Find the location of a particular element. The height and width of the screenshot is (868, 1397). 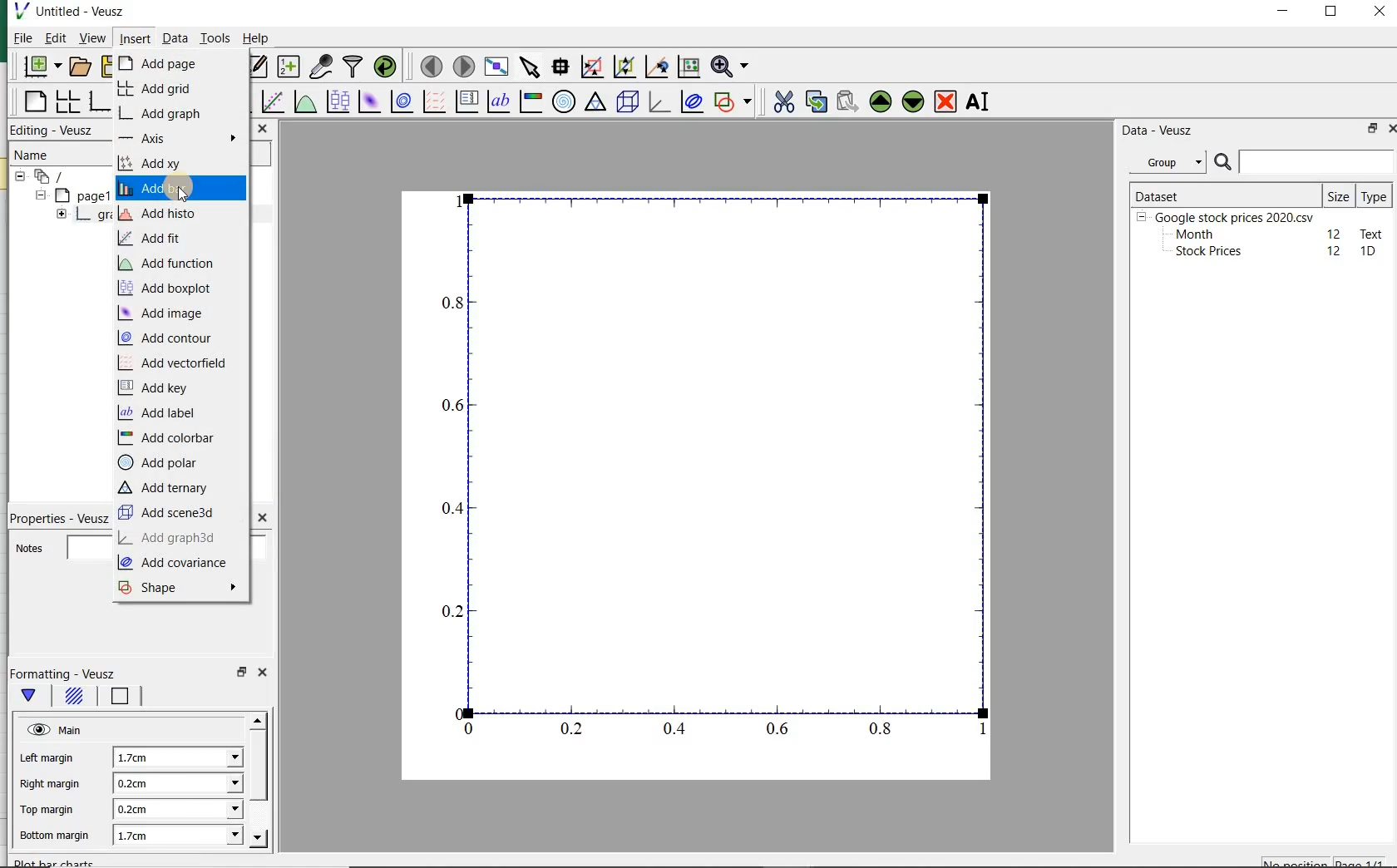

plot a vector field is located at coordinates (432, 103).